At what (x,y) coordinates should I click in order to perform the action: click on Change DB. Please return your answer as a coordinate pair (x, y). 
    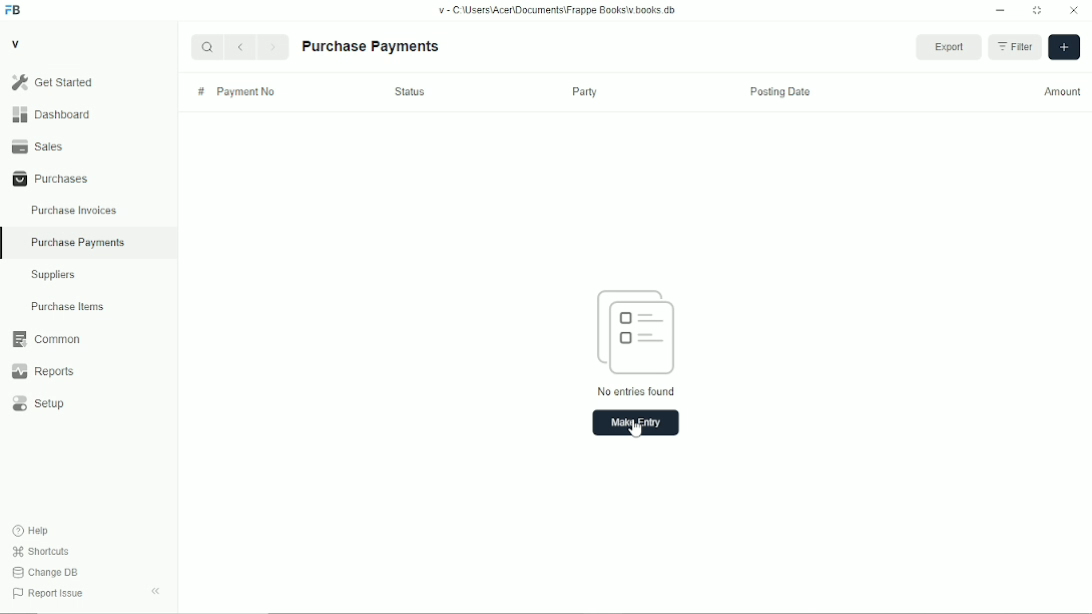
    Looking at the image, I should click on (46, 573).